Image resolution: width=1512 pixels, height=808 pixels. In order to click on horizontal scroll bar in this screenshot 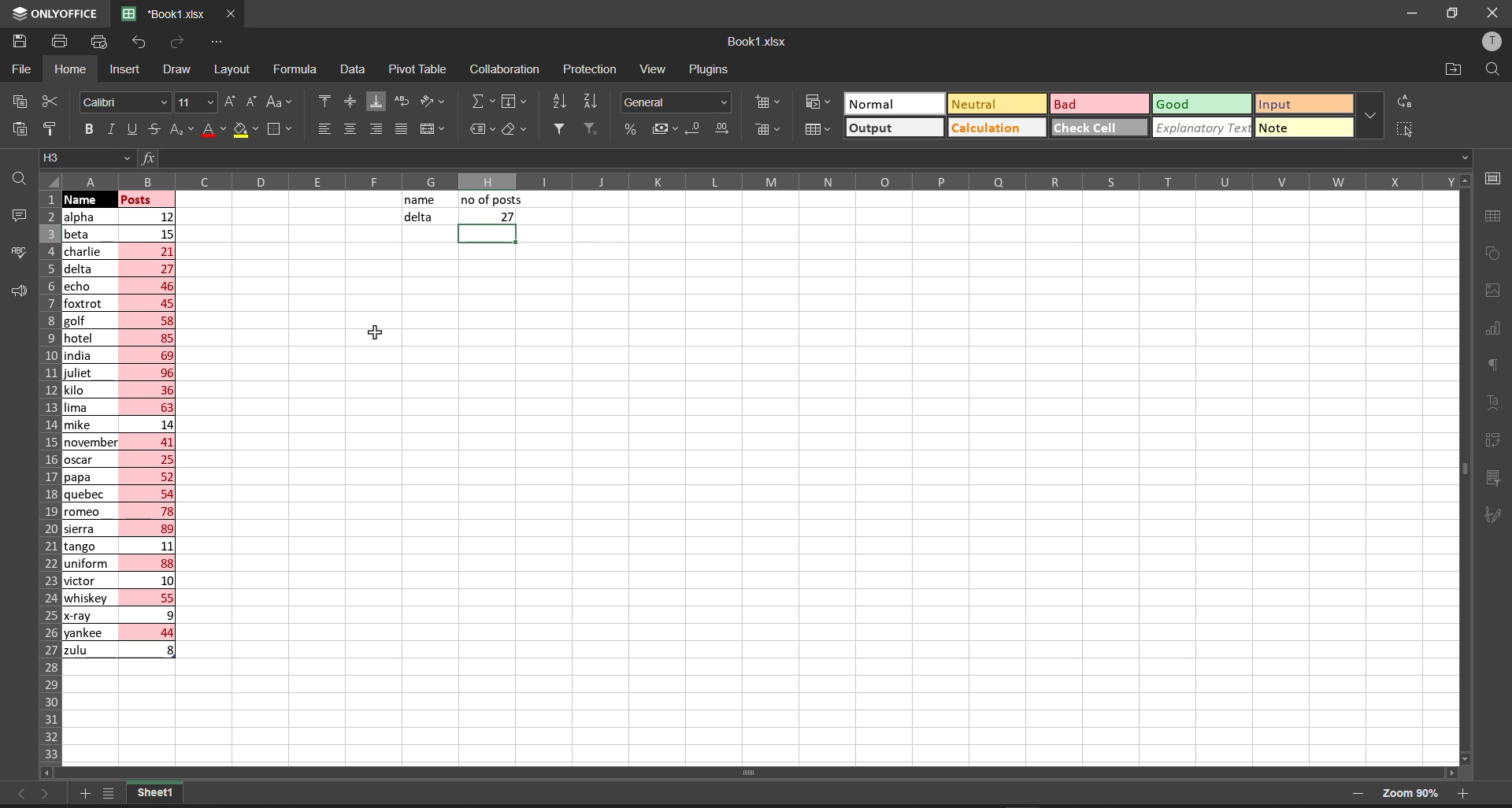, I will do `click(753, 773)`.